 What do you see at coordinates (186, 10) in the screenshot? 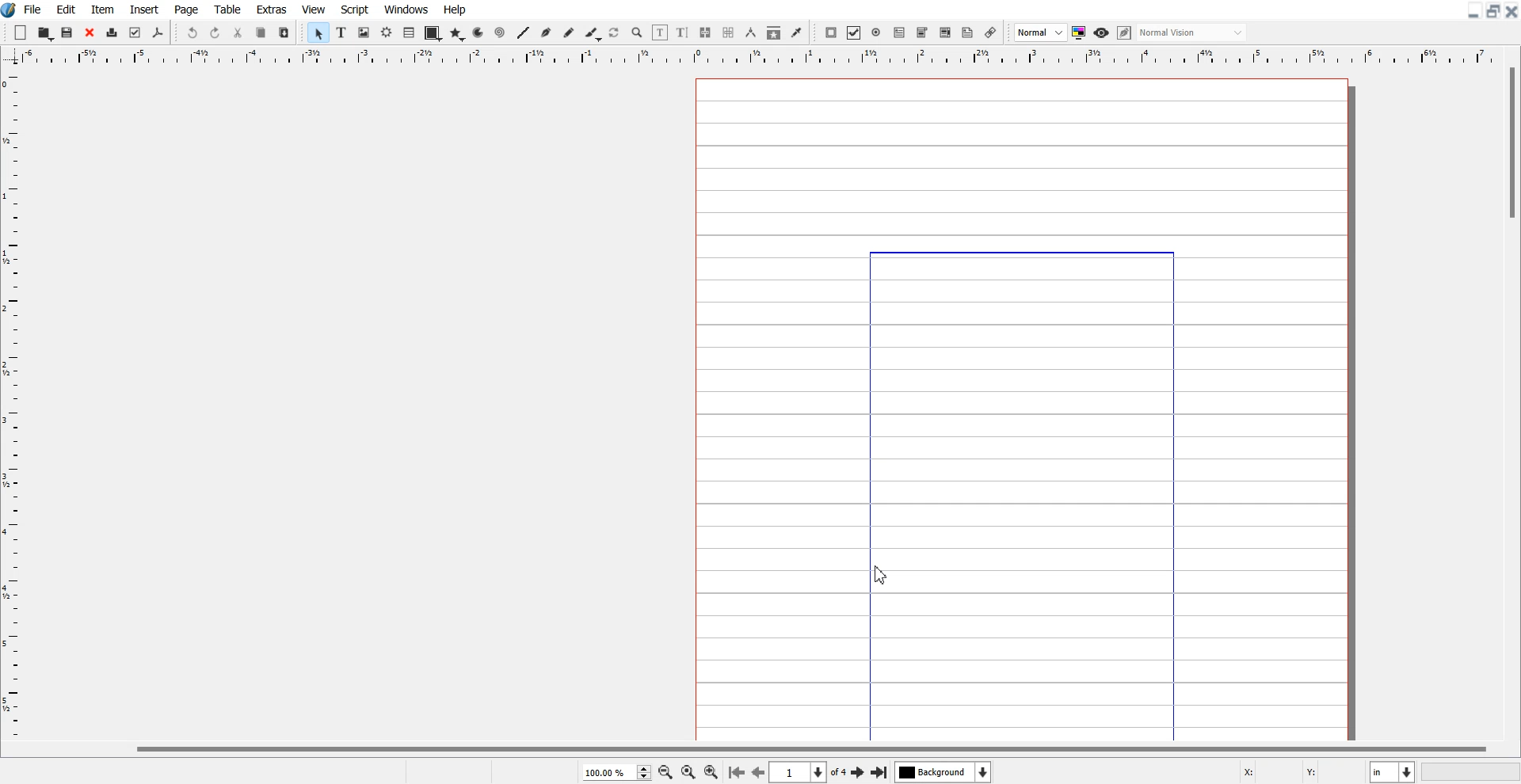
I see `Page` at bounding box center [186, 10].